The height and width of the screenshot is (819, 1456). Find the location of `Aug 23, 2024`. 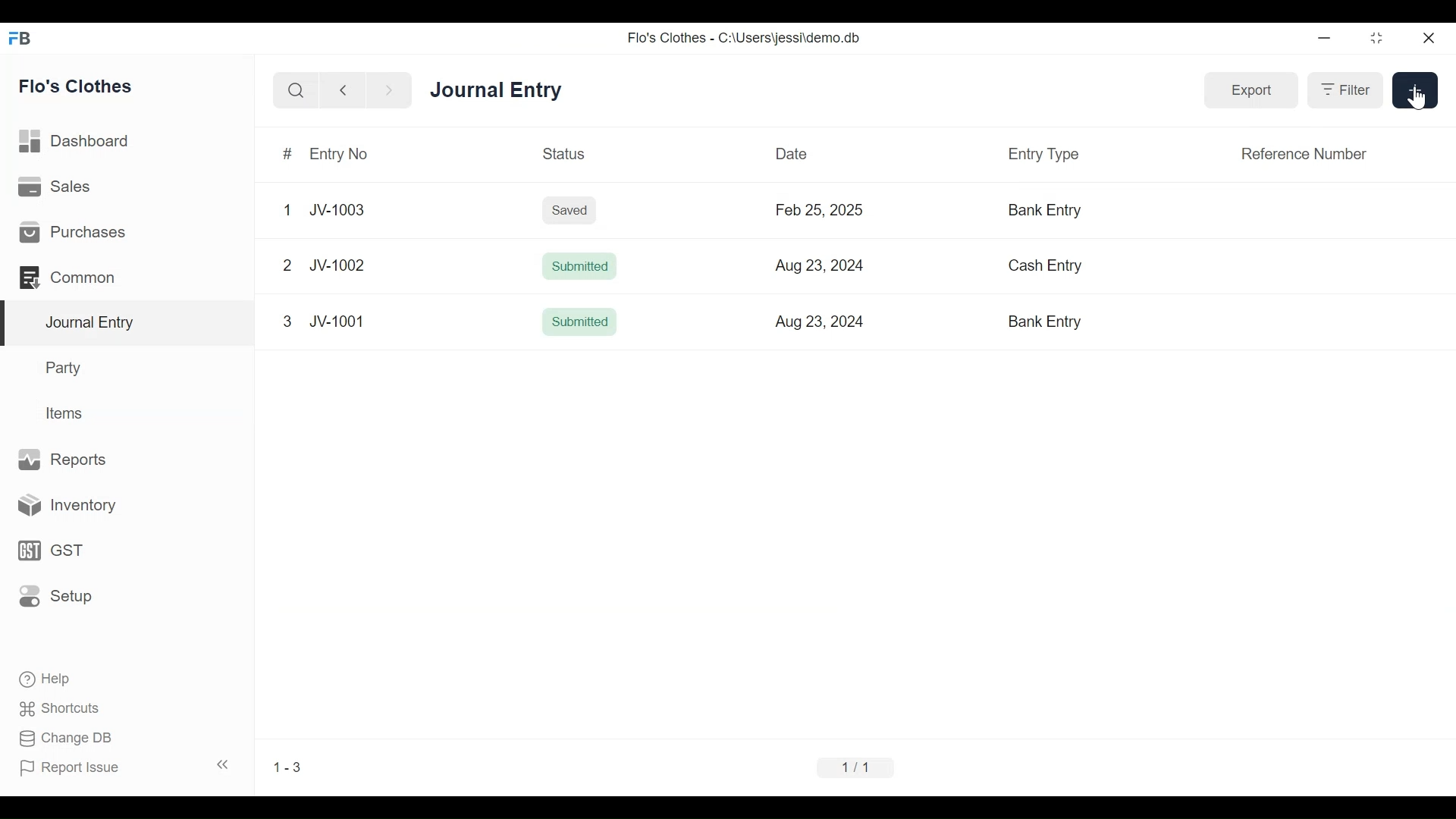

Aug 23, 2024 is located at coordinates (824, 265).